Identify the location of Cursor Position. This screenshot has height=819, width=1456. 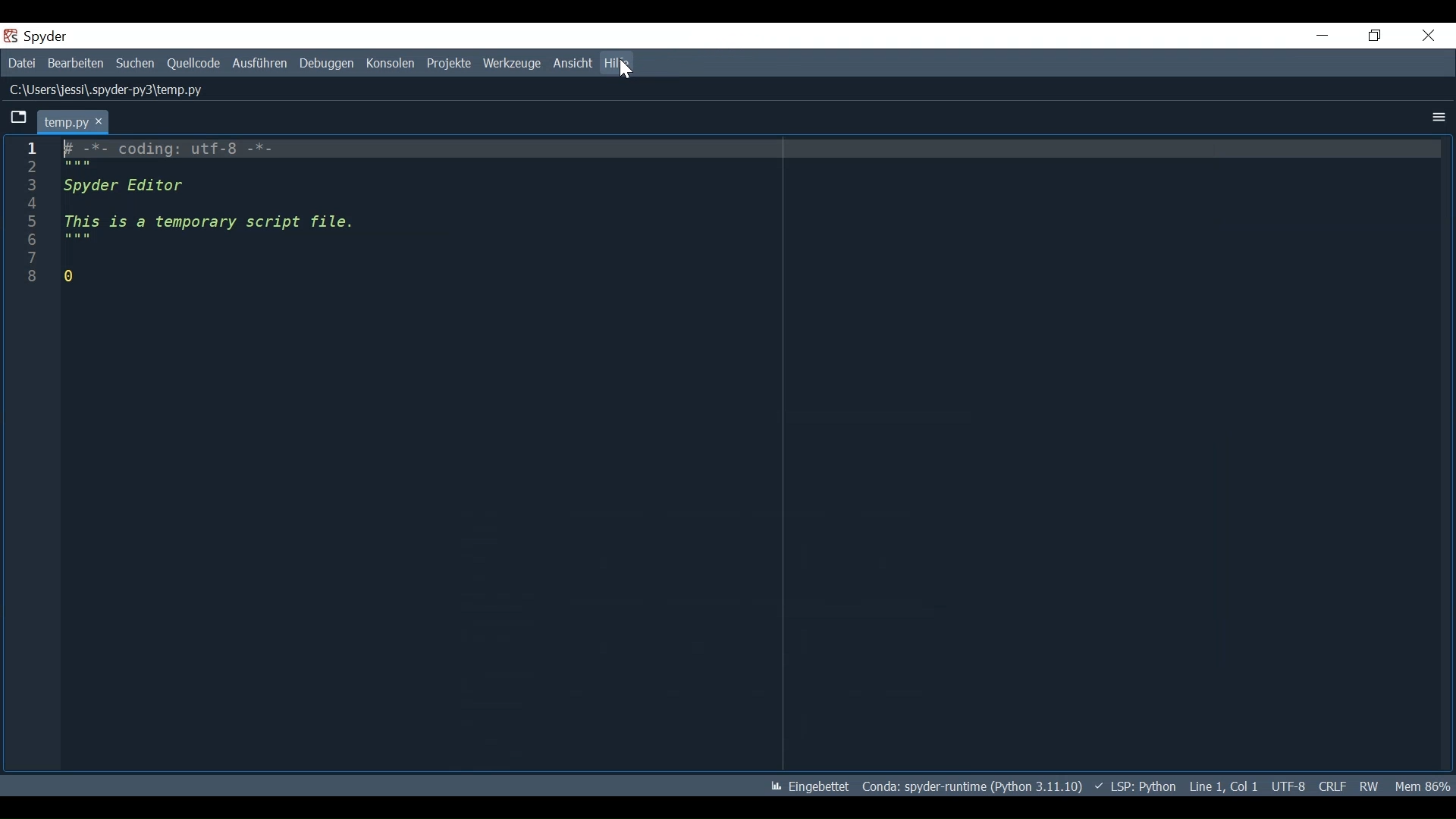
(1222, 787).